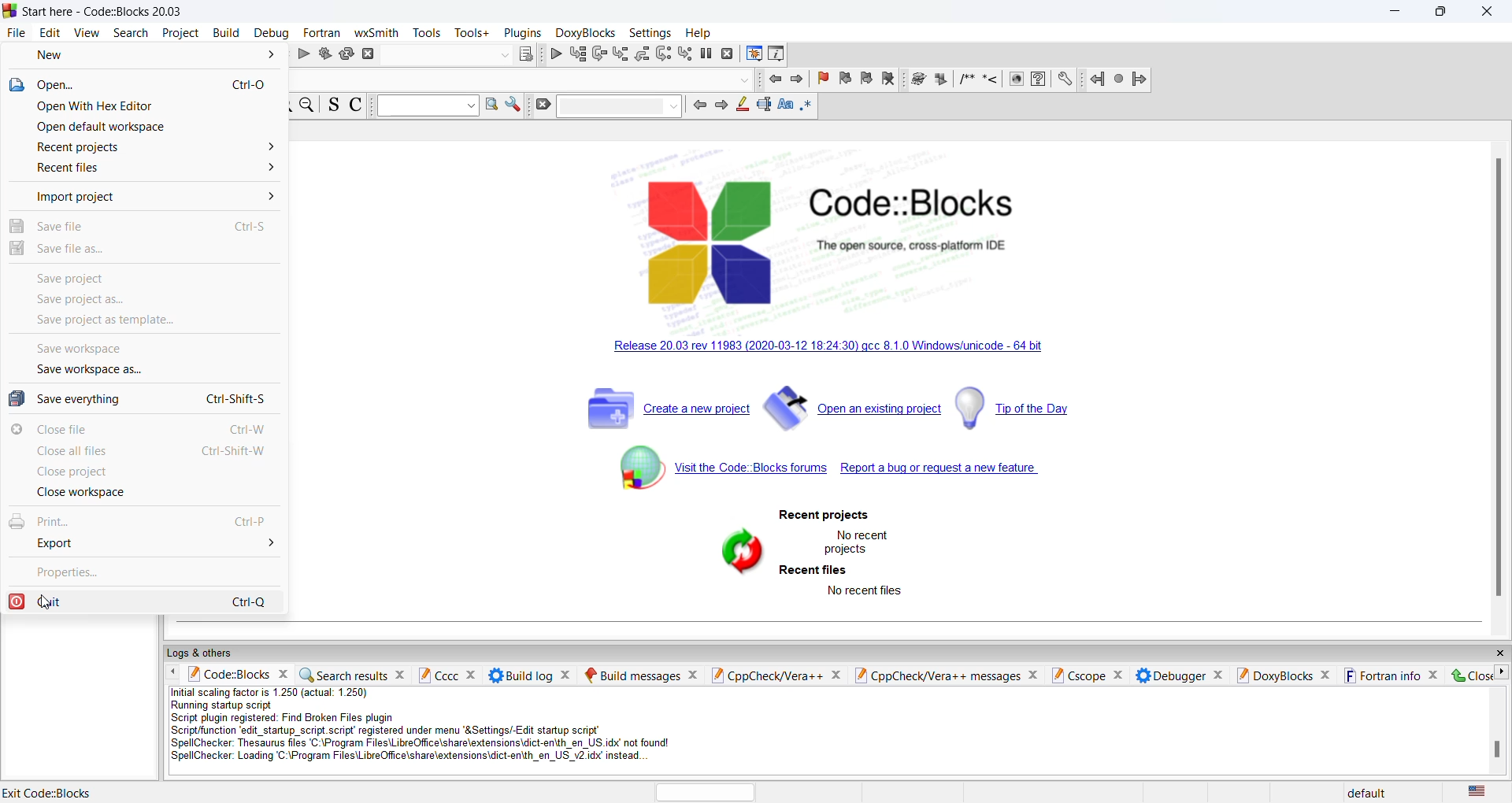 The width and height of the screenshot is (1512, 803). I want to click on dropdown, so click(747, 80).